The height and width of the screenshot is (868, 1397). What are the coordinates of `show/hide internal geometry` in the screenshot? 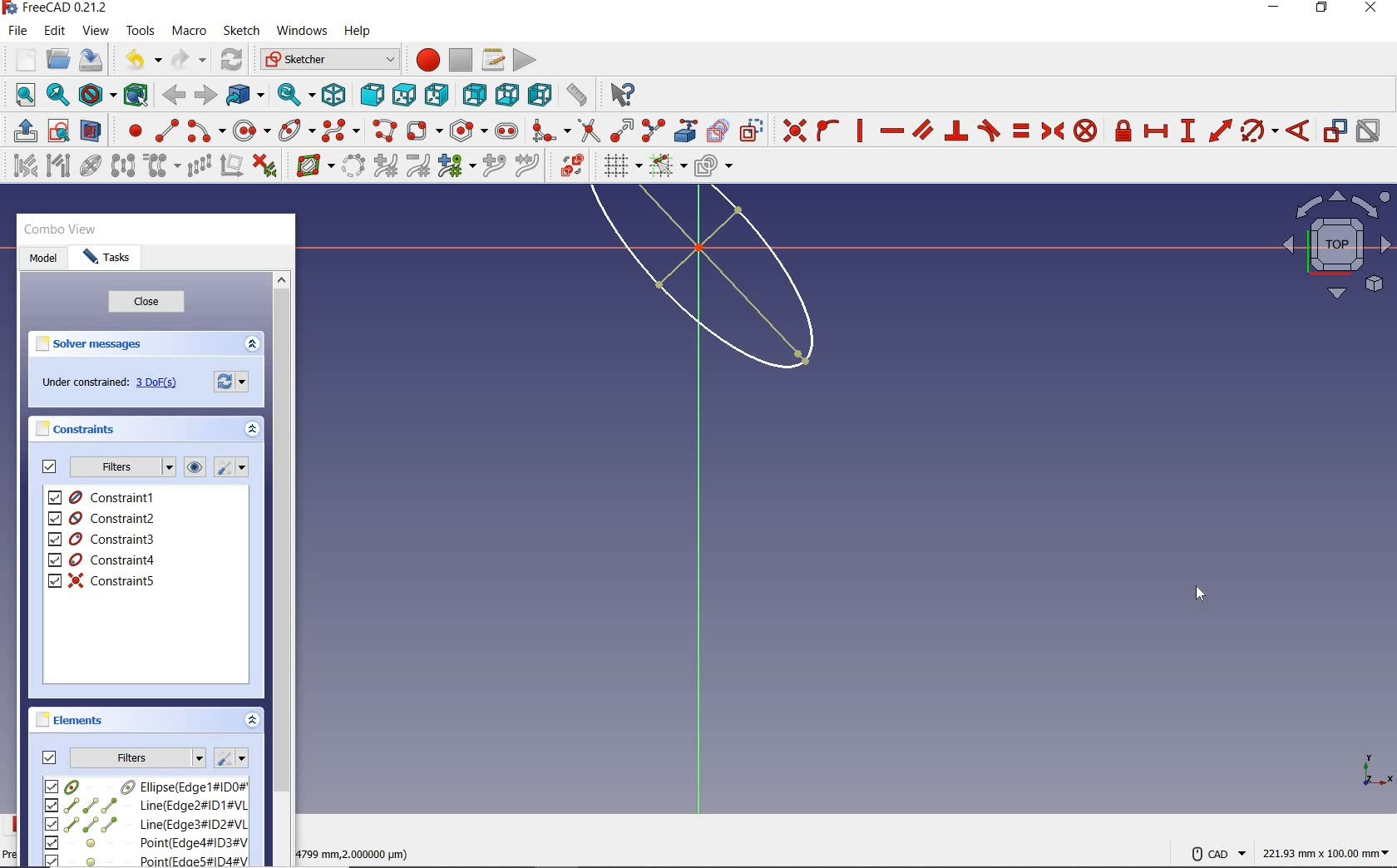 It's located at (93, 165).